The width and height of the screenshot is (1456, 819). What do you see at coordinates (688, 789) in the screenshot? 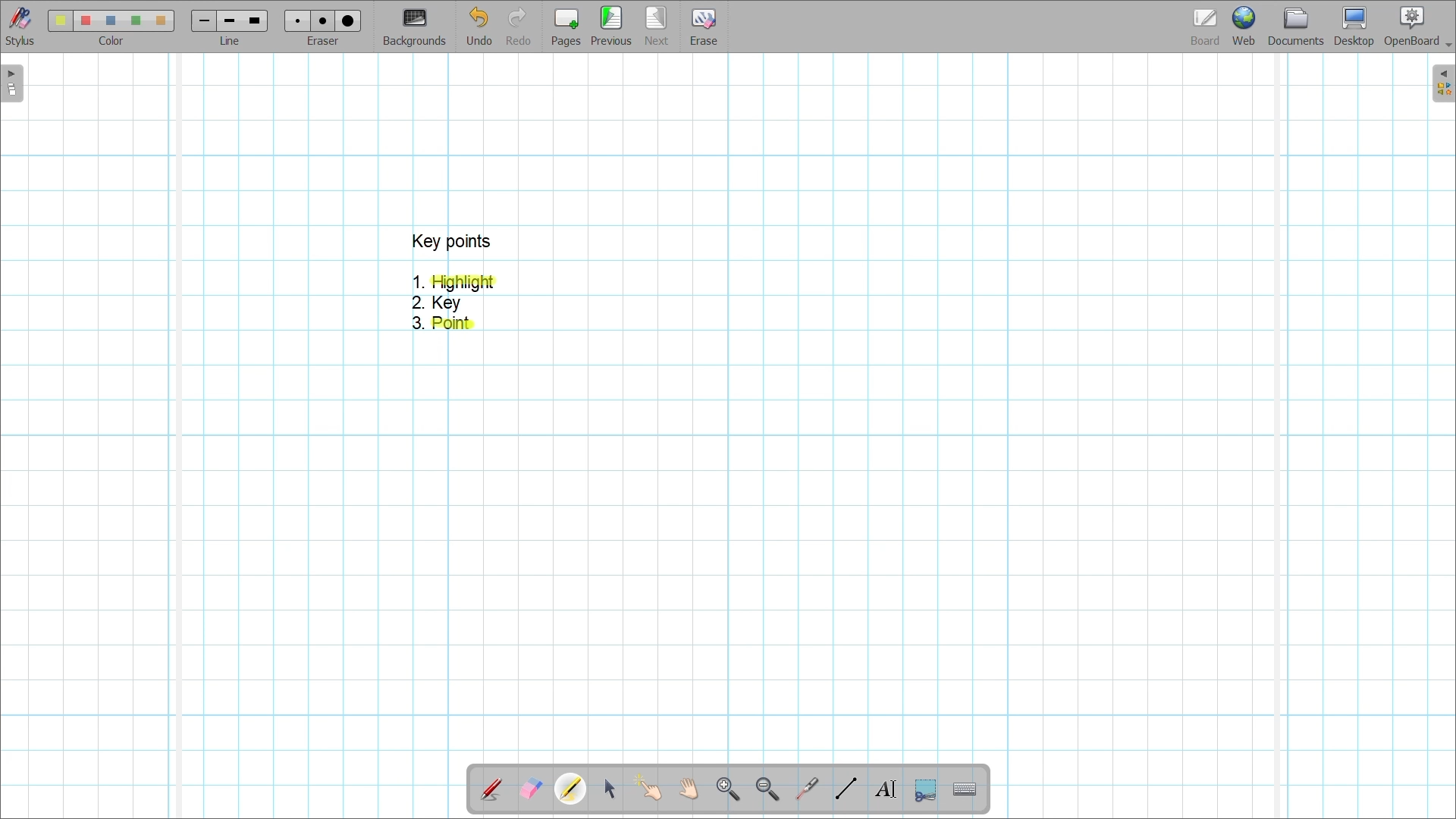
I see `Scroll page` at bounding box center [688, 789].